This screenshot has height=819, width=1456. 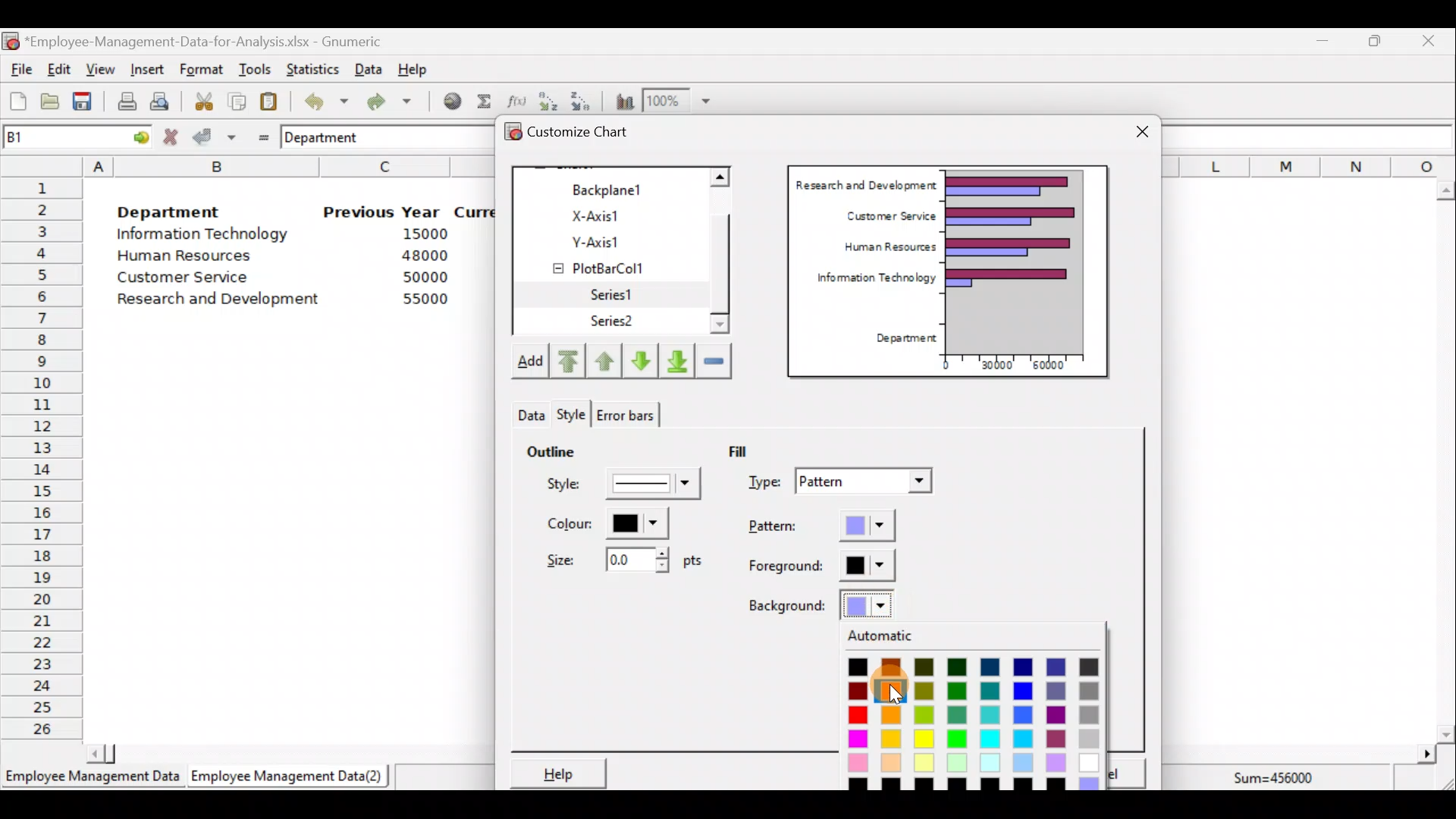 I want to click on Scroll bar, so click(x=1445, y=462).